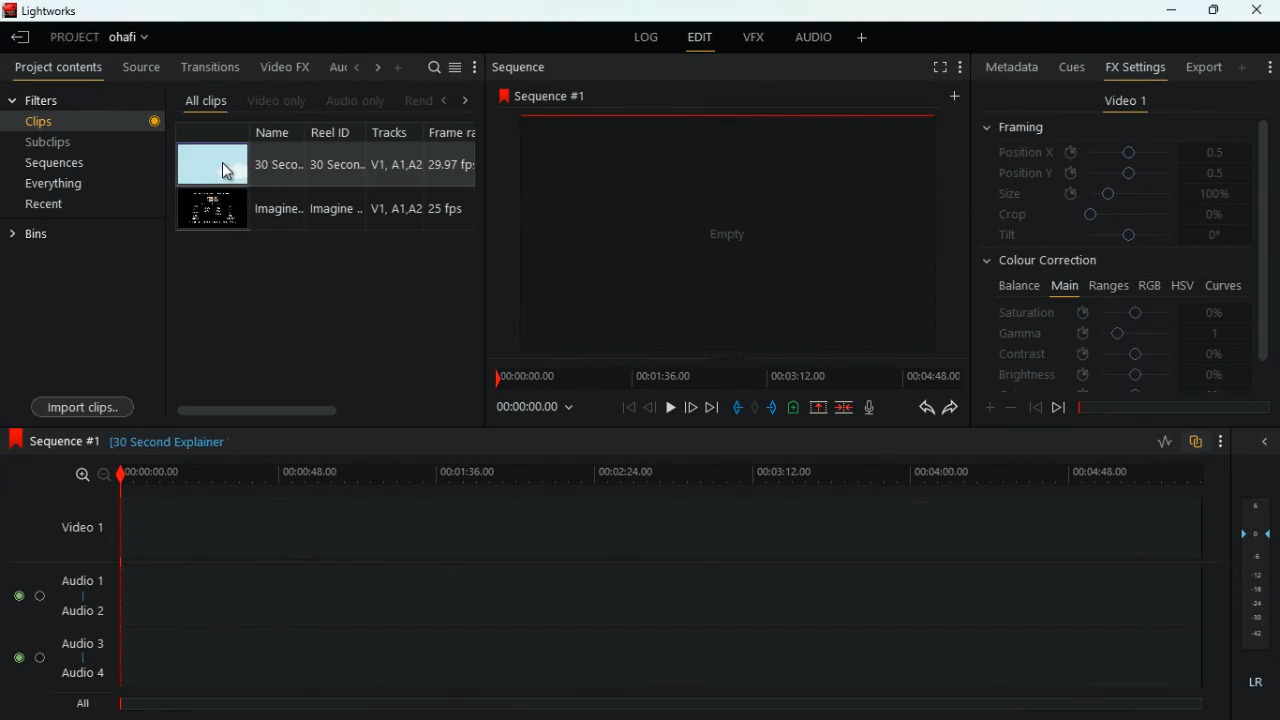 The image size is (1280, 720). Describe the element at coordinates (750, 38) in the screenshot. I see `vfx` at that location.